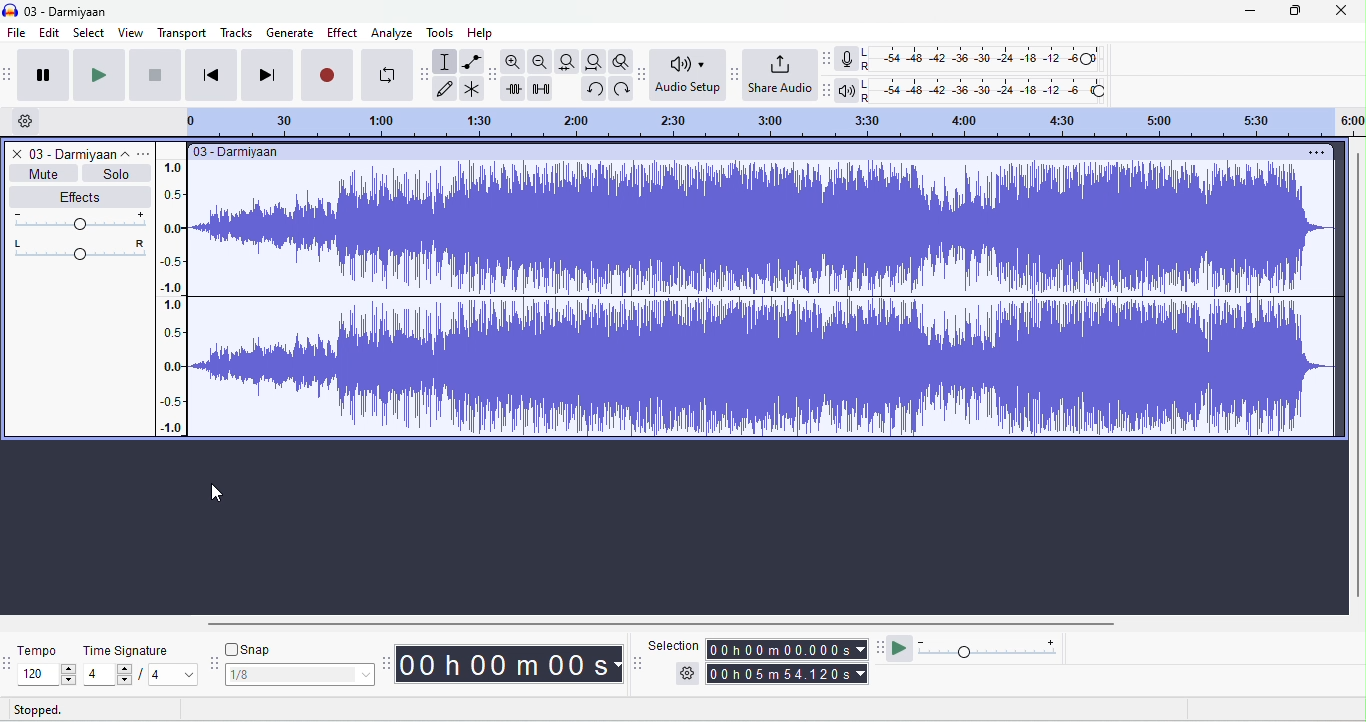  Describe the element at coordinates (394, 32) in the screenshot. I see `analyze` at that location.